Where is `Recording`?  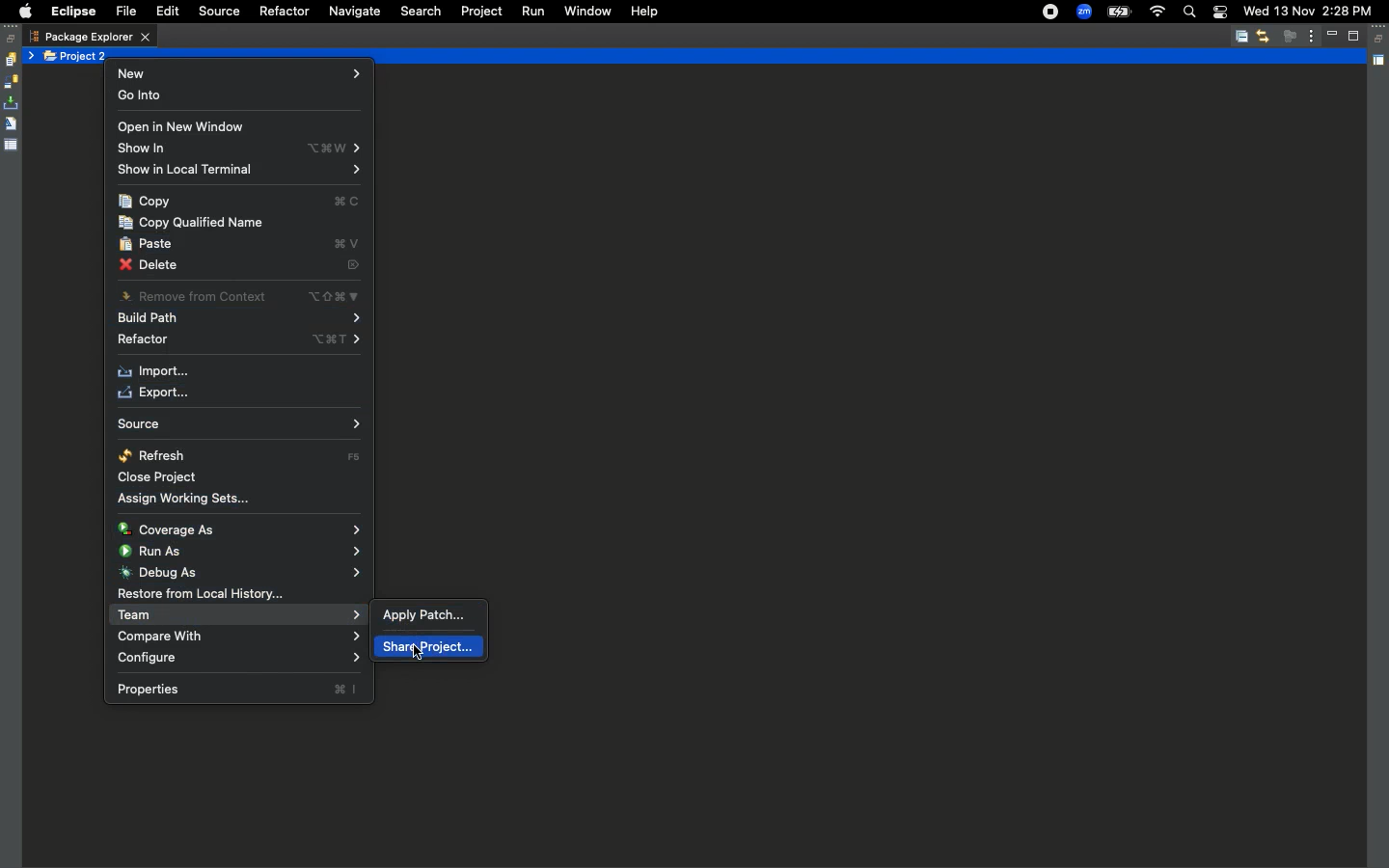
Recording is located at coordinates (1051, 12).